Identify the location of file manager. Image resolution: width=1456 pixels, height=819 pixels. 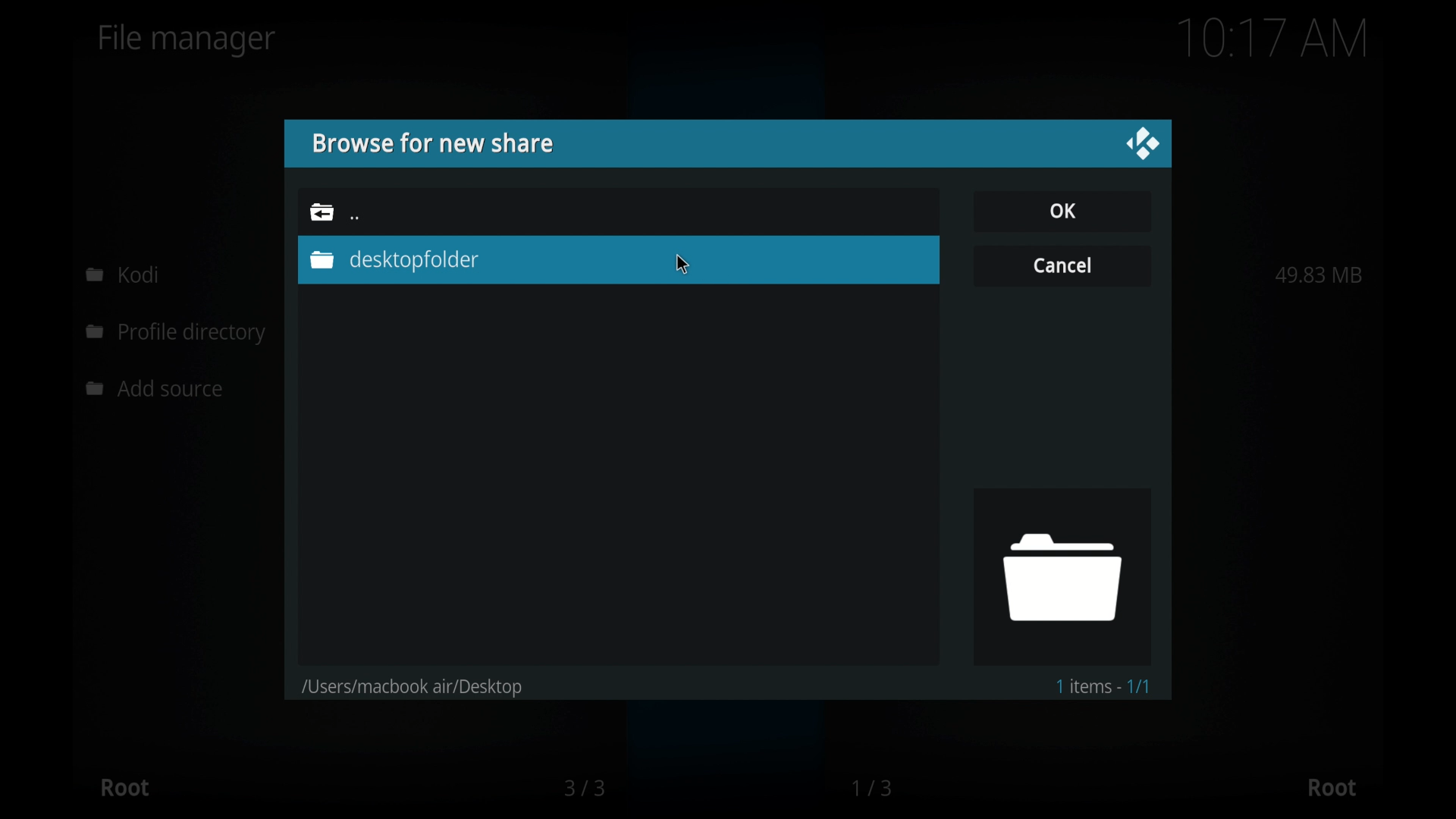
(187, 40).